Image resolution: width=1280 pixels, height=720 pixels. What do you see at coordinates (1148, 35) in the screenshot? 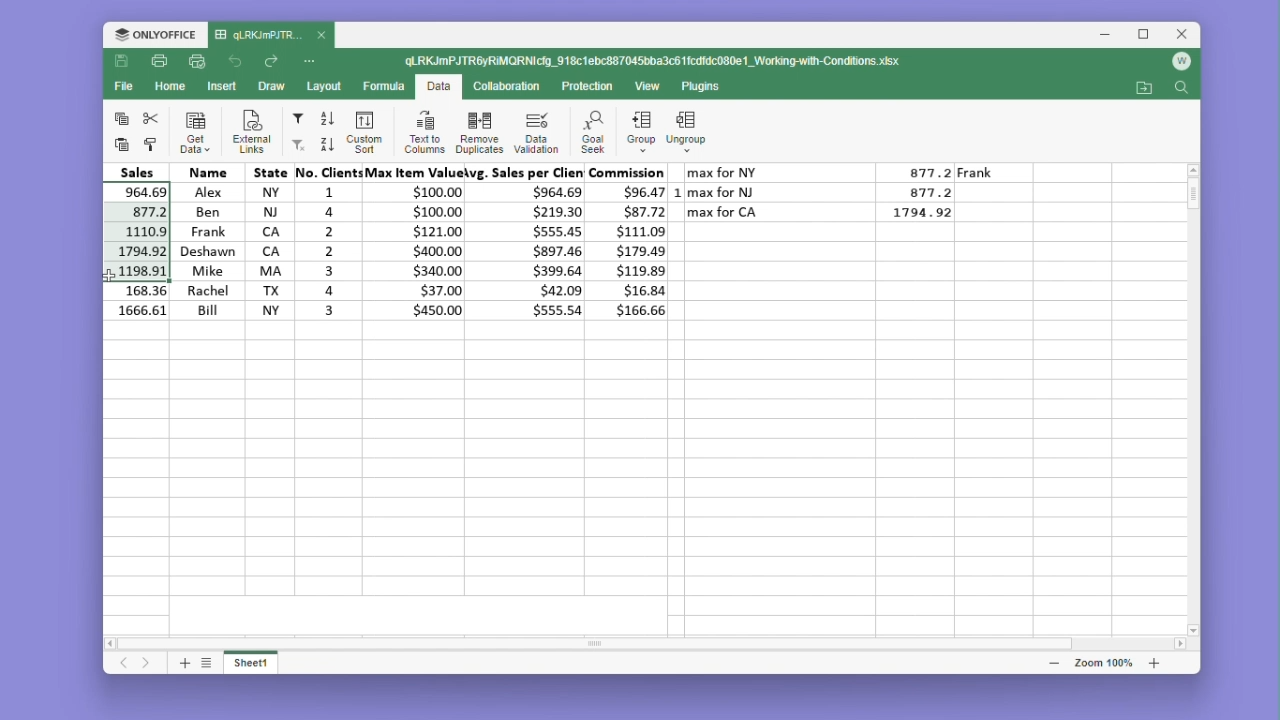
I see `Maximize` at bounding box center [1148, 35].